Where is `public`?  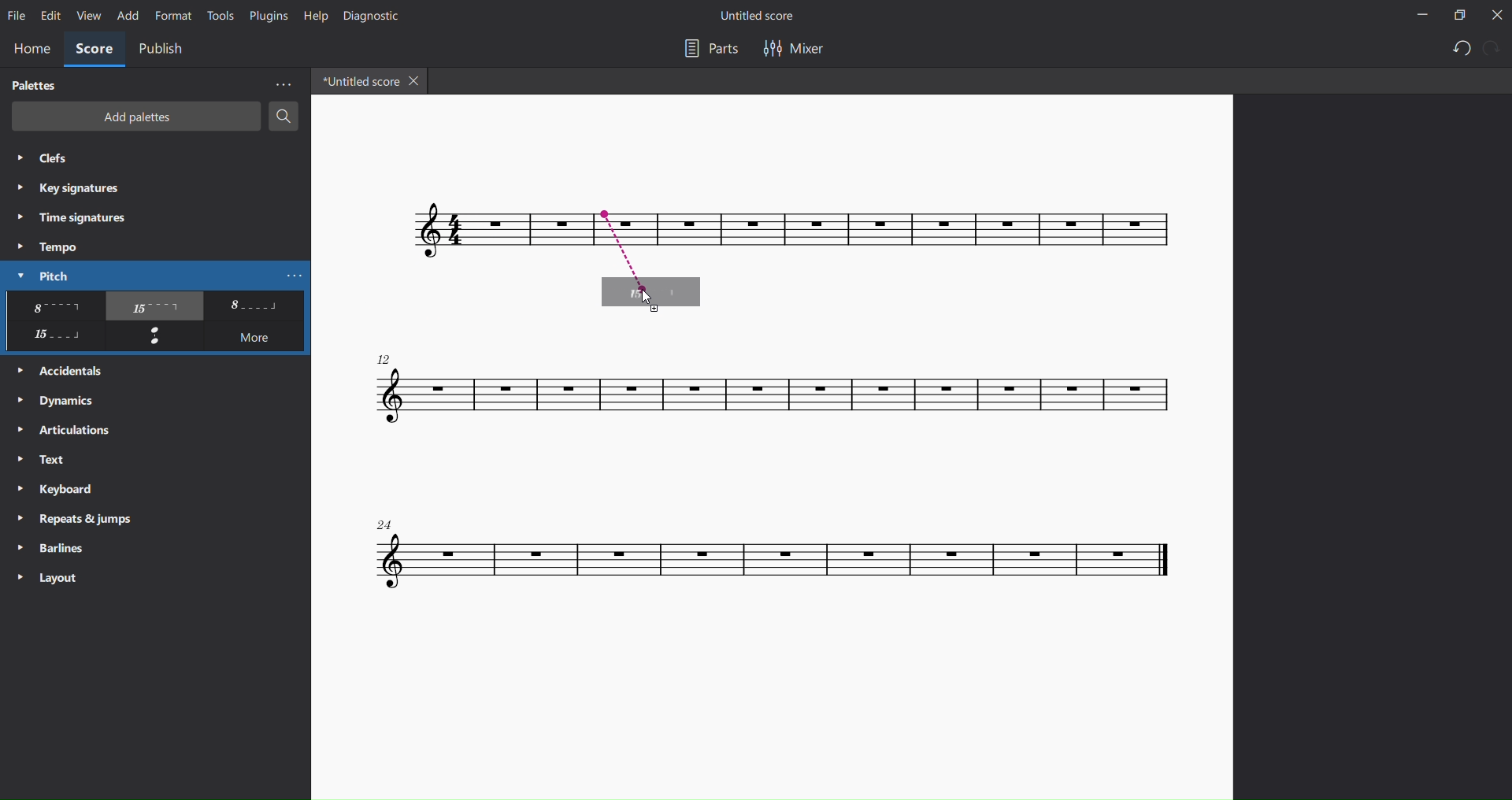
public is located at coordinates (165, 51).